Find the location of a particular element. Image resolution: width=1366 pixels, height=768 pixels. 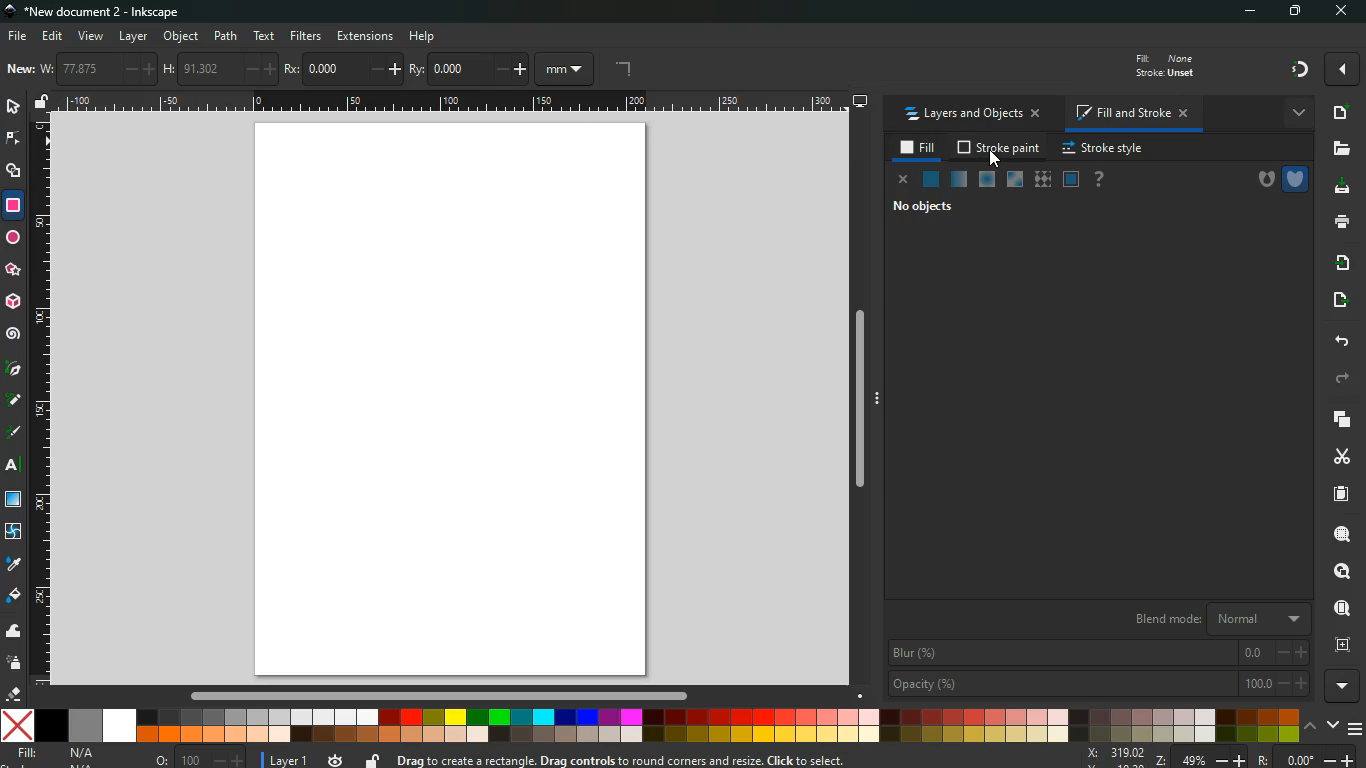

search is located at coordinates (1341, 530).